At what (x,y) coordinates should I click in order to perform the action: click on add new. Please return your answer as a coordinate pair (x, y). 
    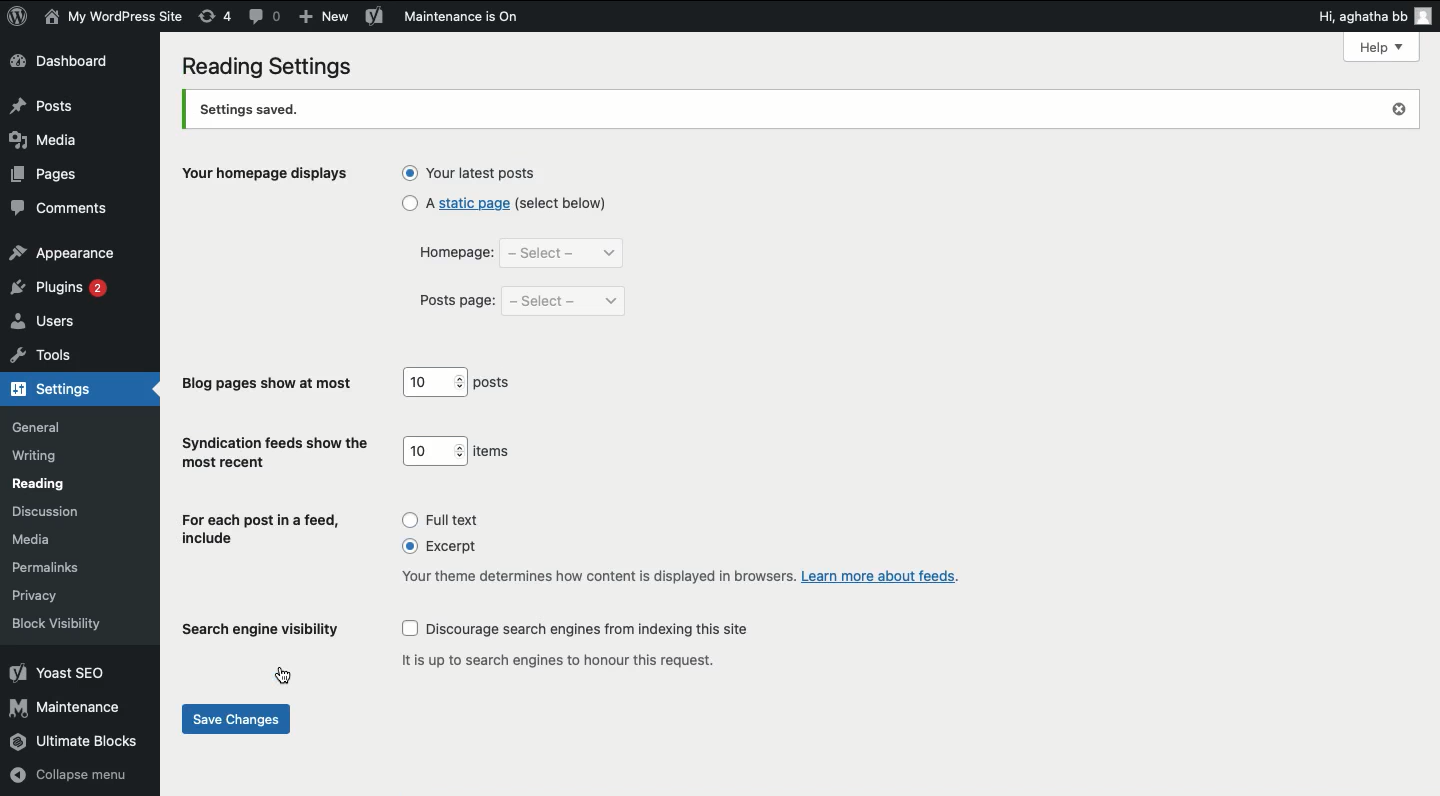
    Looking at the image, I should click on (323, 15).